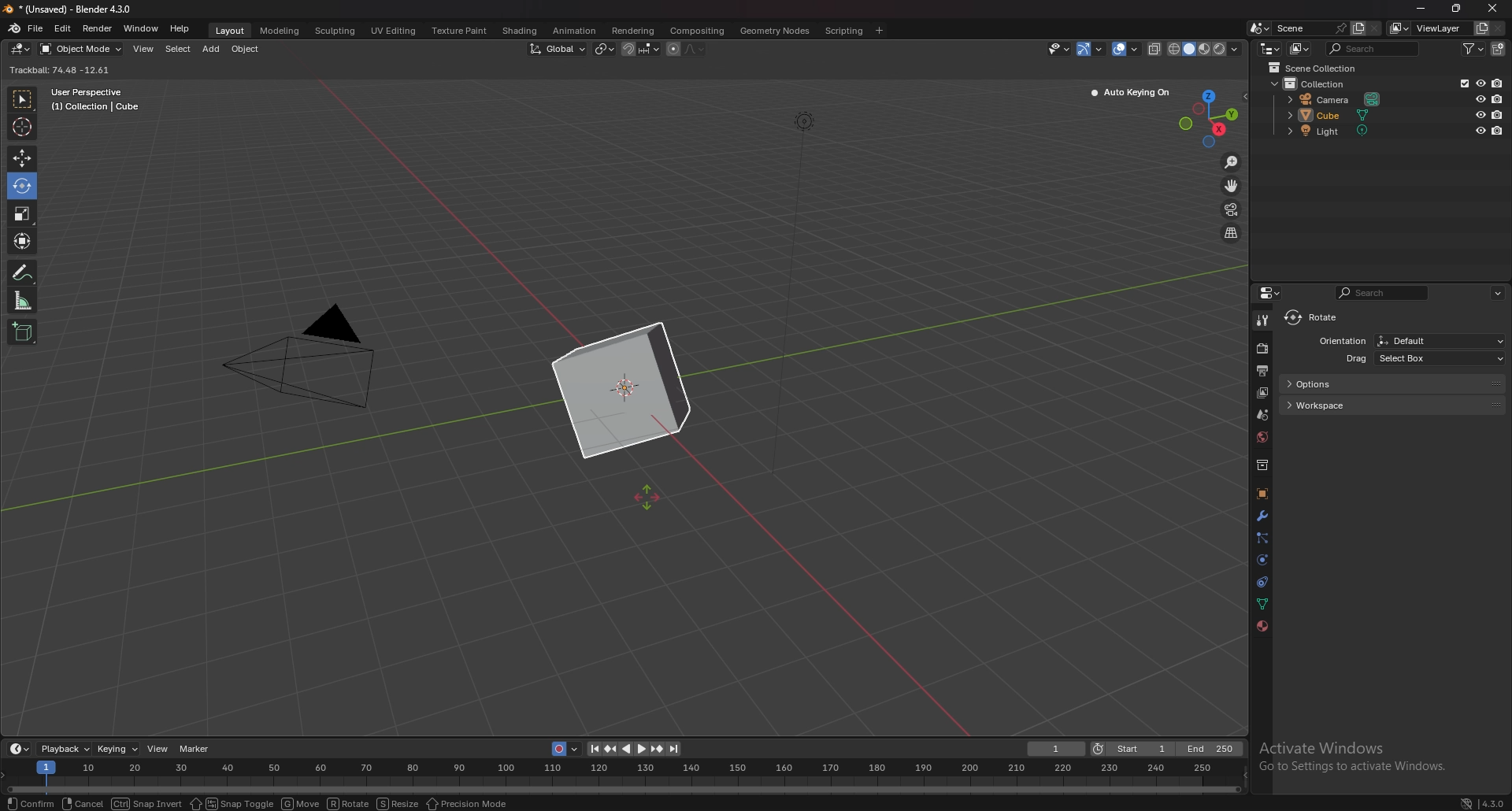  What do you see at coordinates (1058, 48) in the screenshot?
I see `select-ability and visibility` at bounding box center [1058, 48].